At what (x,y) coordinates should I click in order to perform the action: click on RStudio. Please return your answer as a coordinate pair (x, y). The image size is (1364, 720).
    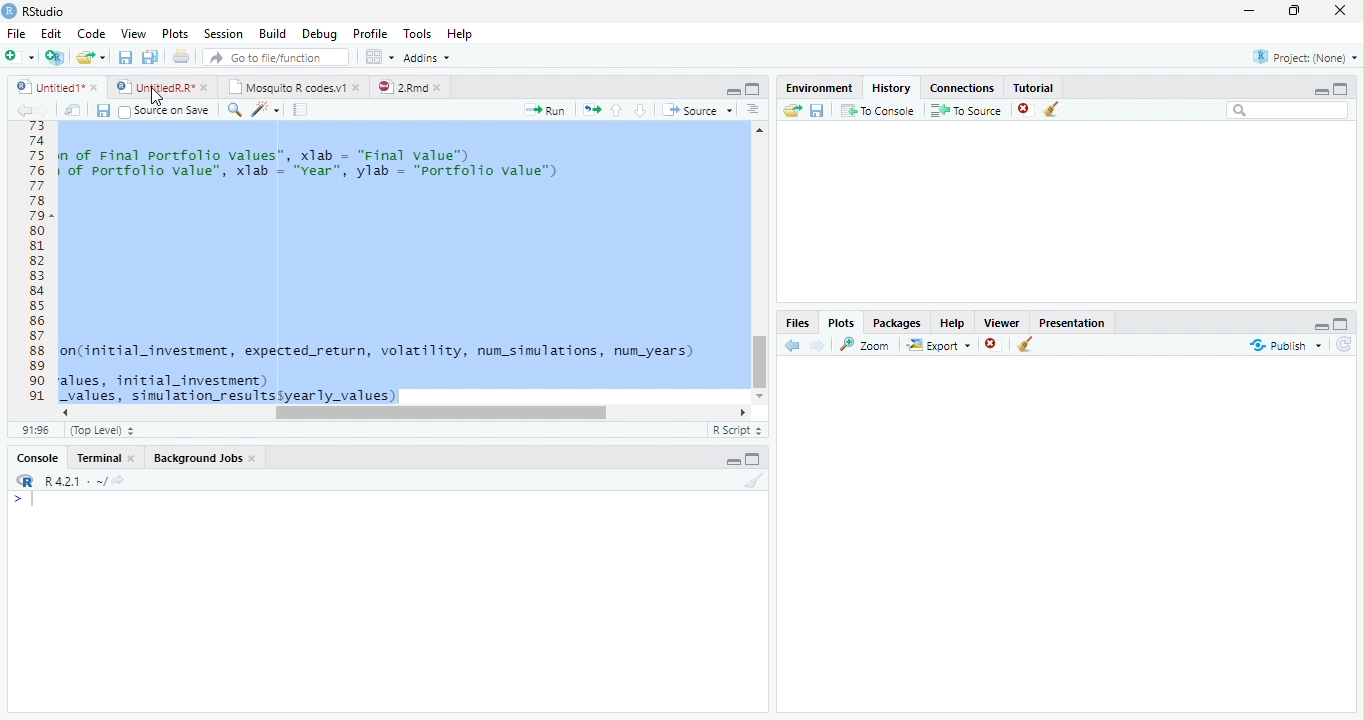
    Looking at the image, I should click on (34, 11).